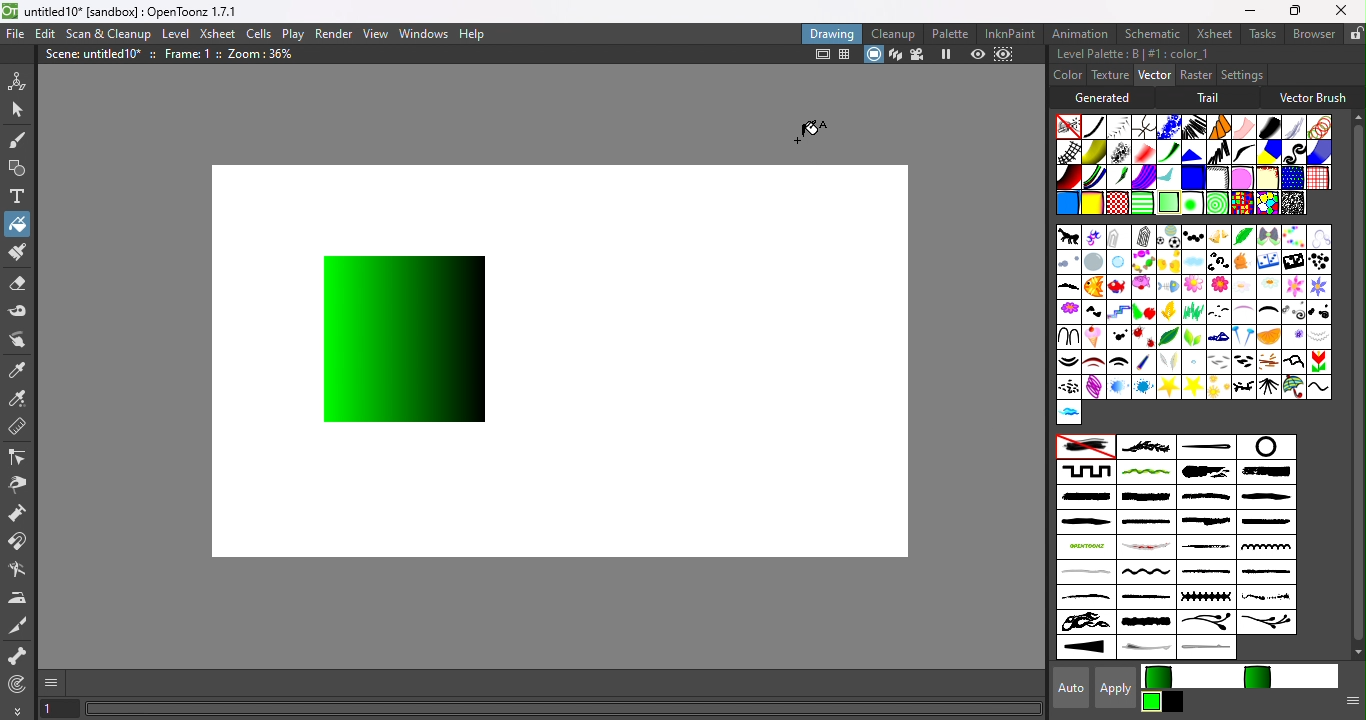 This screenshot has height=720, width=1366. I want to click on Preview, so click(978, 54).